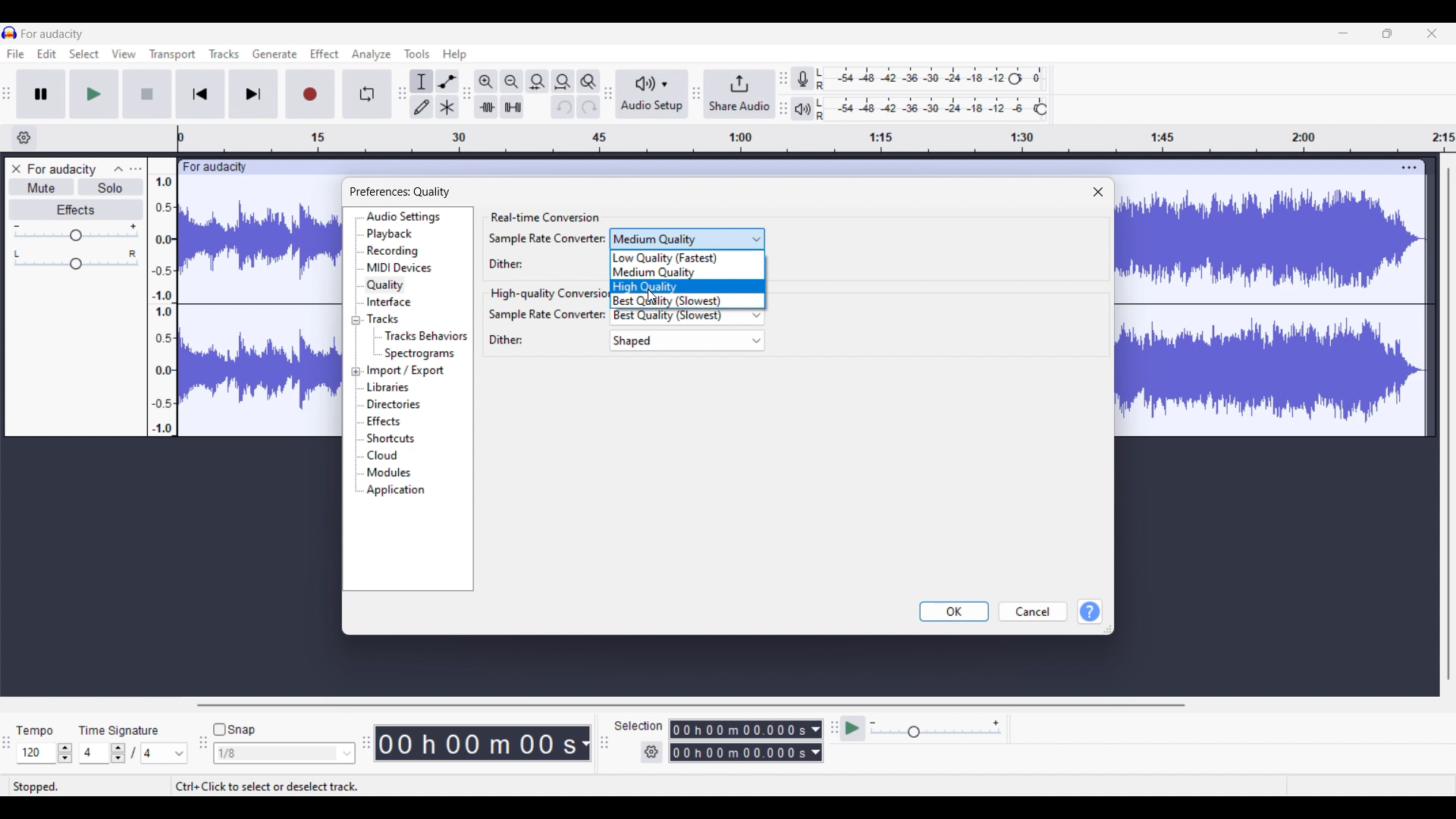  I want to click on Current status of track, so click(36, 787).